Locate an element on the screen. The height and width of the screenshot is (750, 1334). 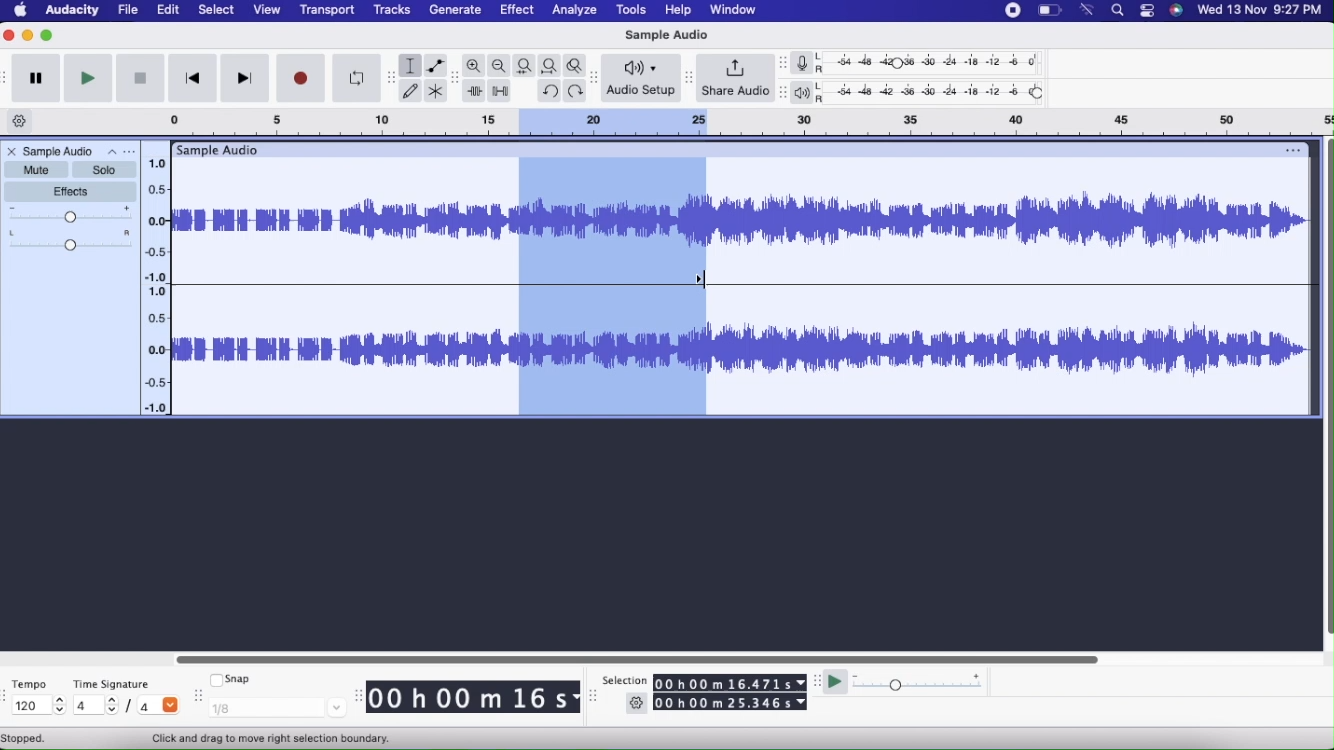
Draw tool is located at coordinates (410, 90).